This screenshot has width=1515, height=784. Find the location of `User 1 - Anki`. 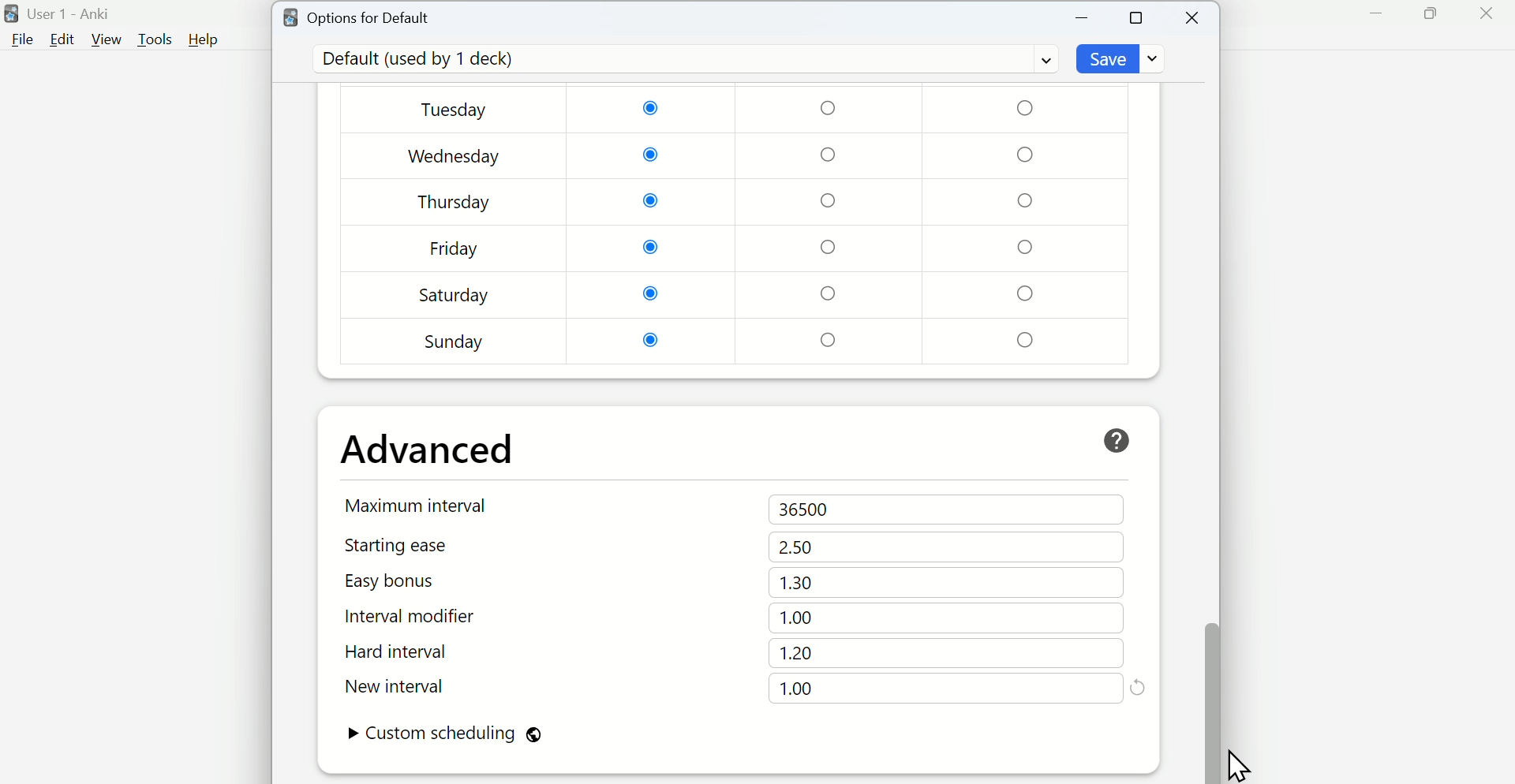

User 1 - Anki is located at coordinates (61, 14).